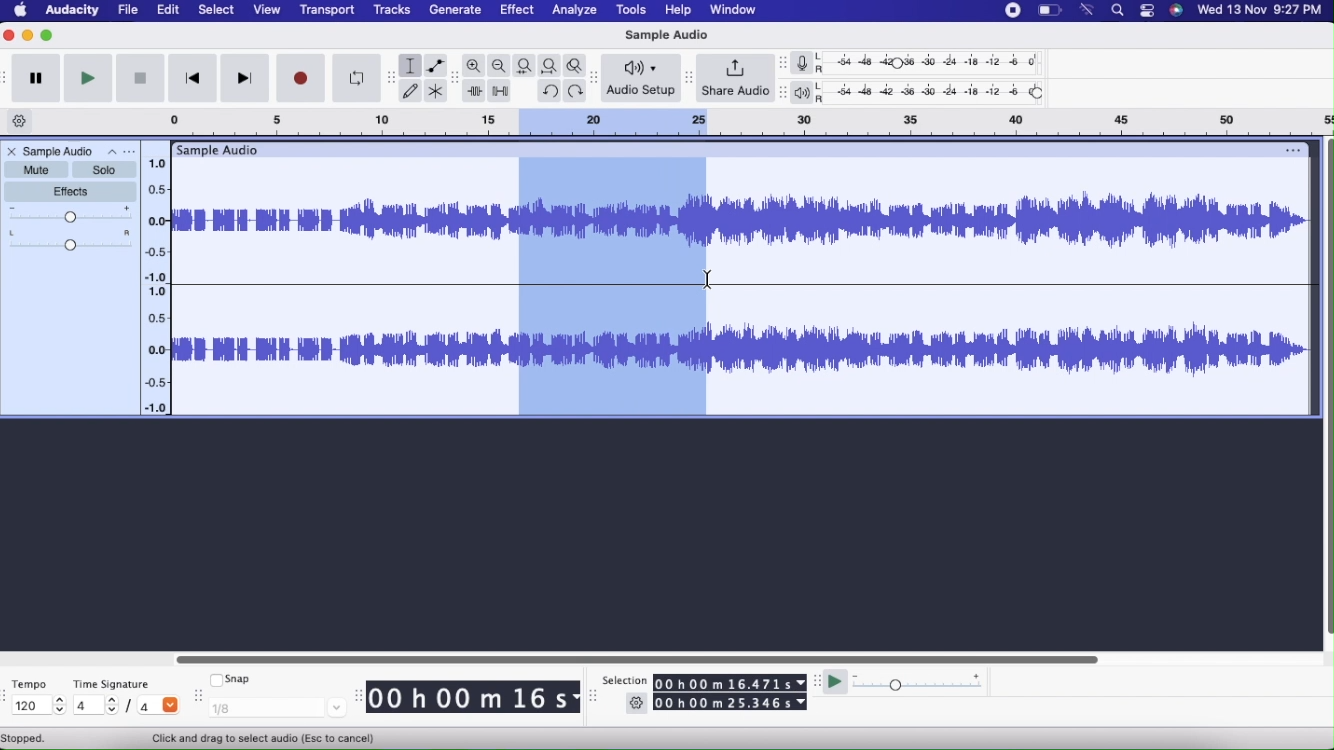  What do you see at coordinates (837, 685) in the screenshot?
I see `Play at speed` at bounding box center [837, 685].